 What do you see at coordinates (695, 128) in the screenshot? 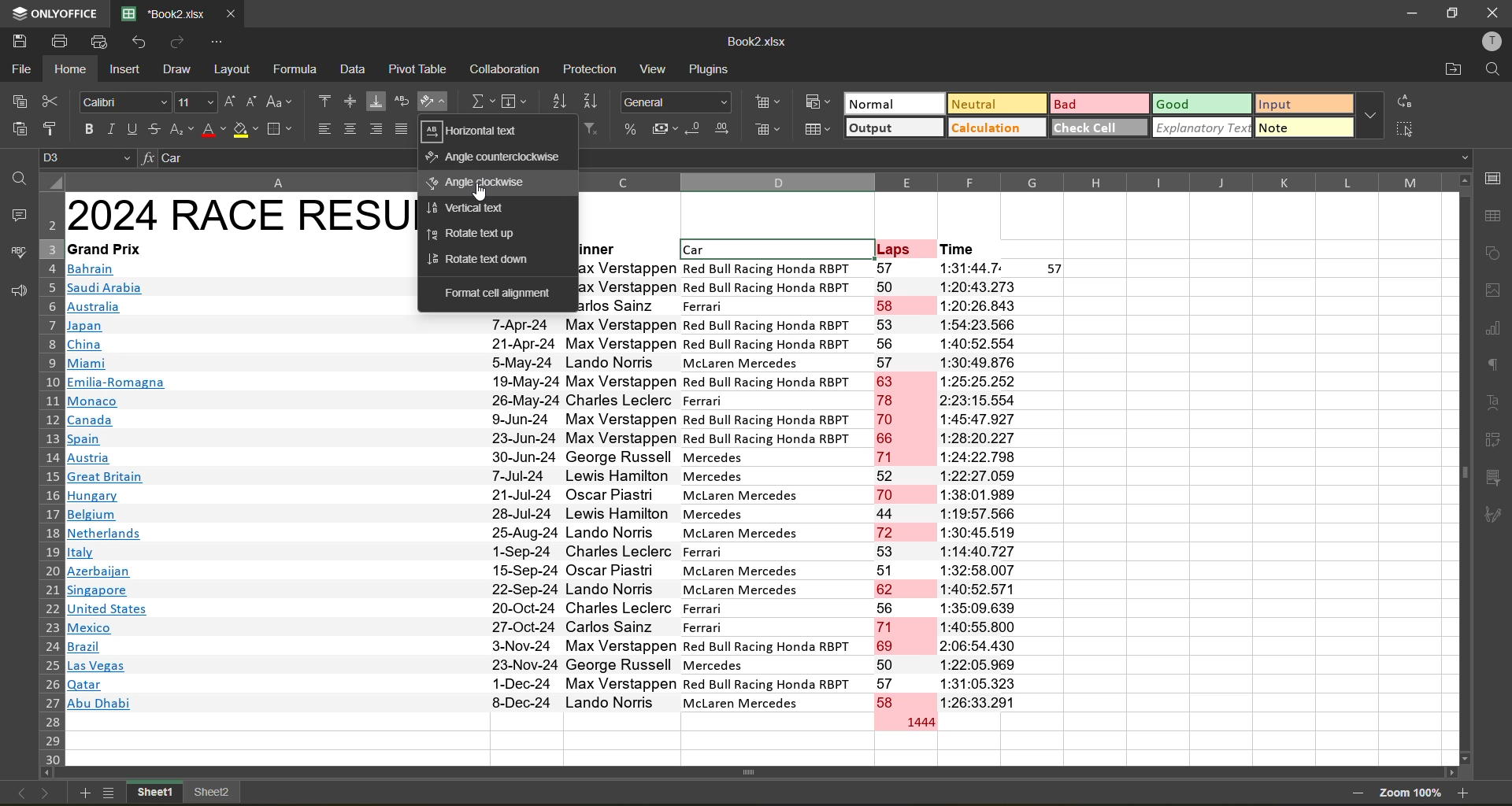
I see `decrease decimal` at bounding box center [695, 128].